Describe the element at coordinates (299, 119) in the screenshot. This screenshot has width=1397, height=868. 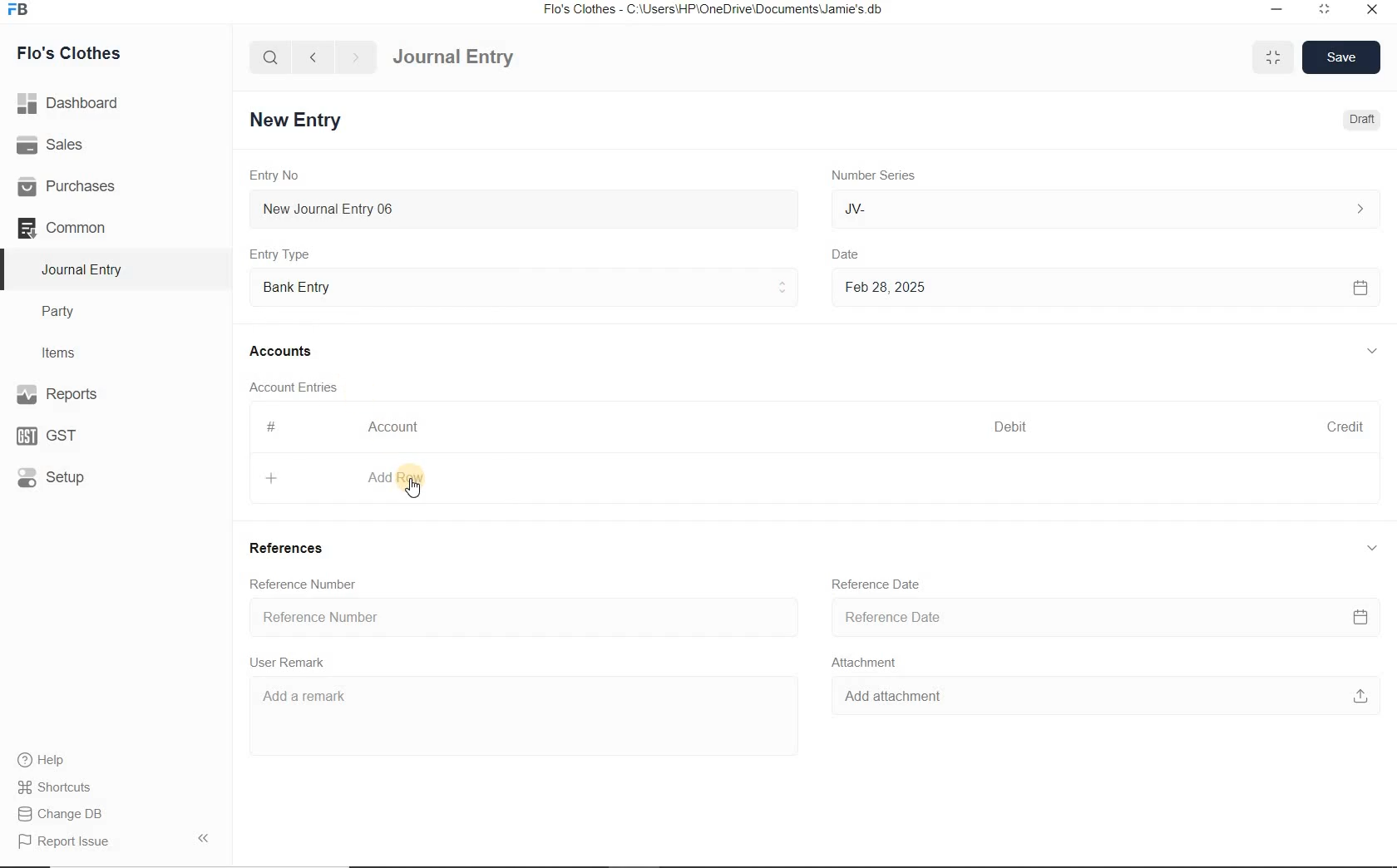
I see `New Entry` at that location.